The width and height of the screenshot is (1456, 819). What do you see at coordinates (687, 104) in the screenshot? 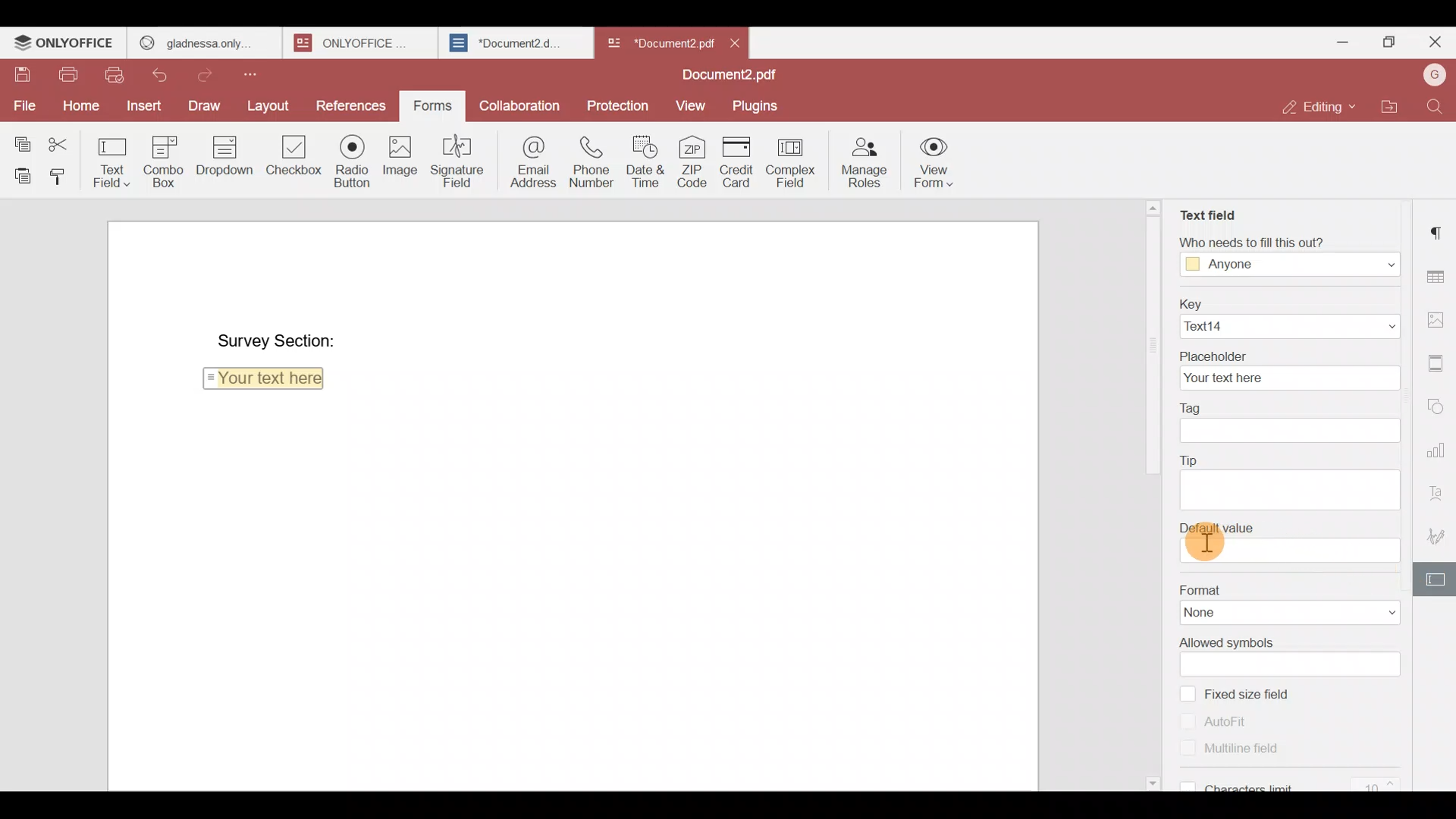
I see `View` at bounding box center [687, 104].